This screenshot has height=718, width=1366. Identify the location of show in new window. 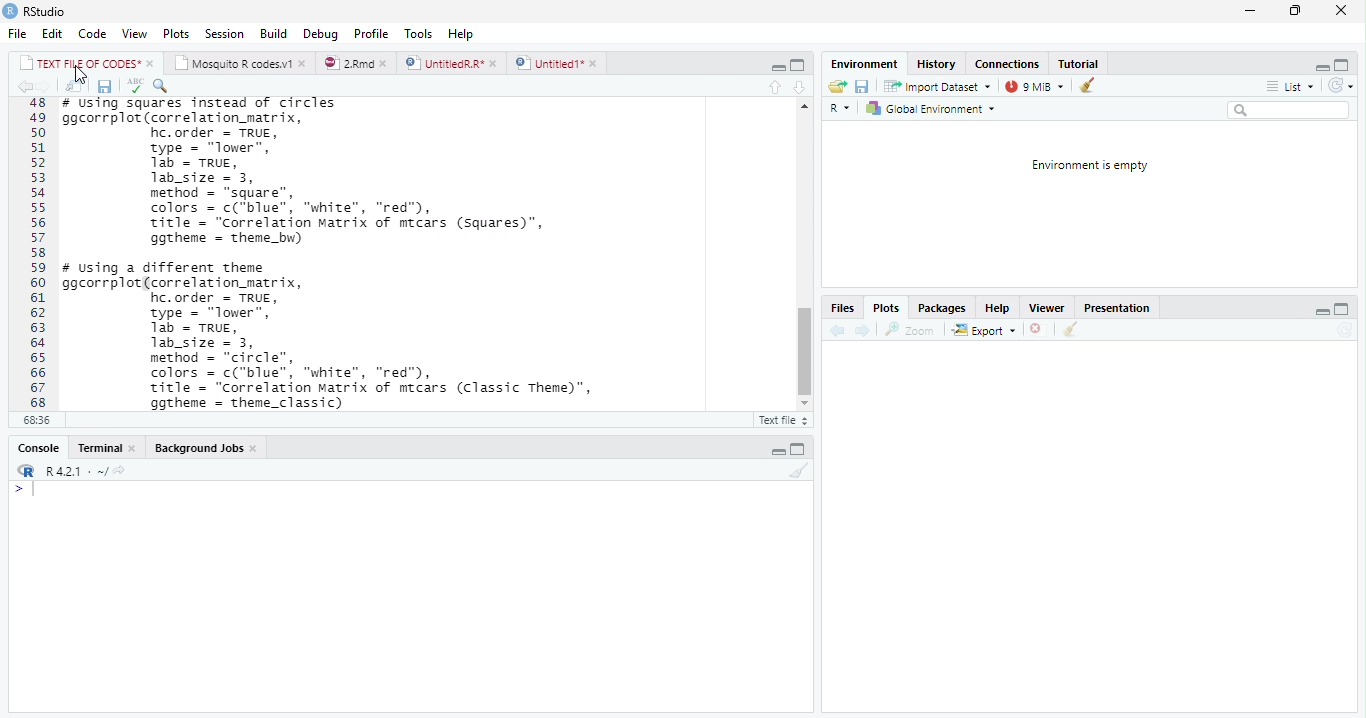
(74, 86).